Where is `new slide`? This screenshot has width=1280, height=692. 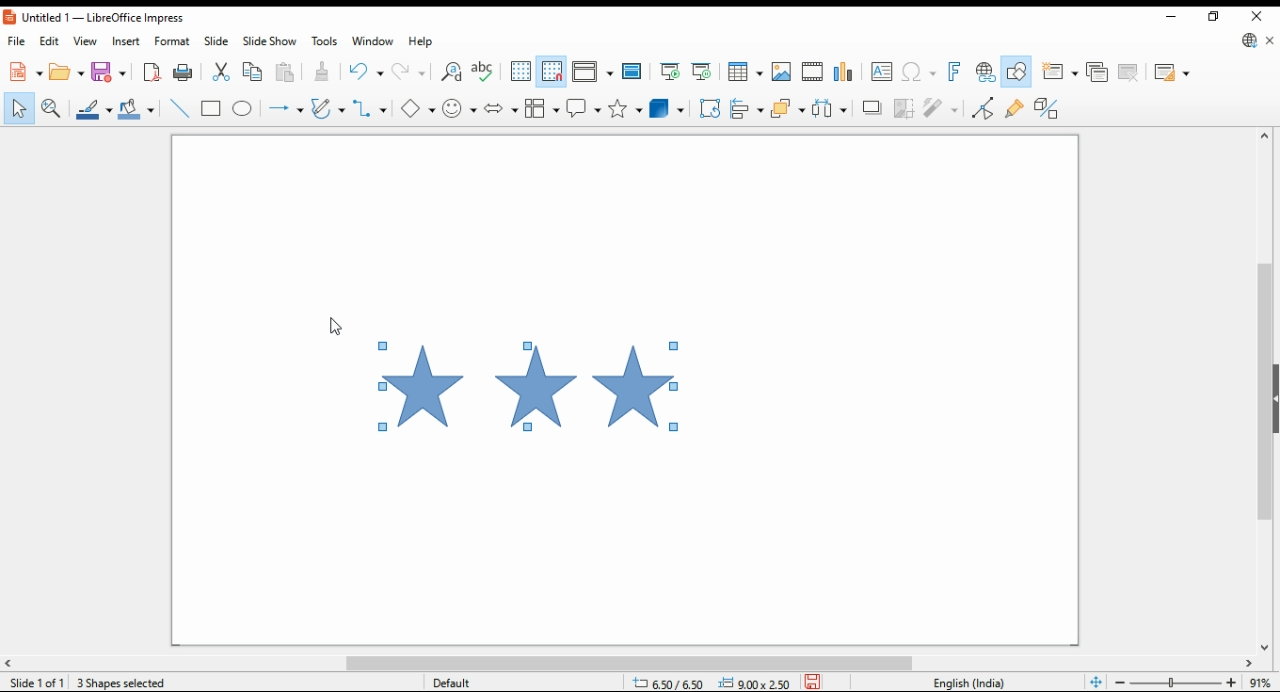 new slide is located at coordinates (1059, 72).